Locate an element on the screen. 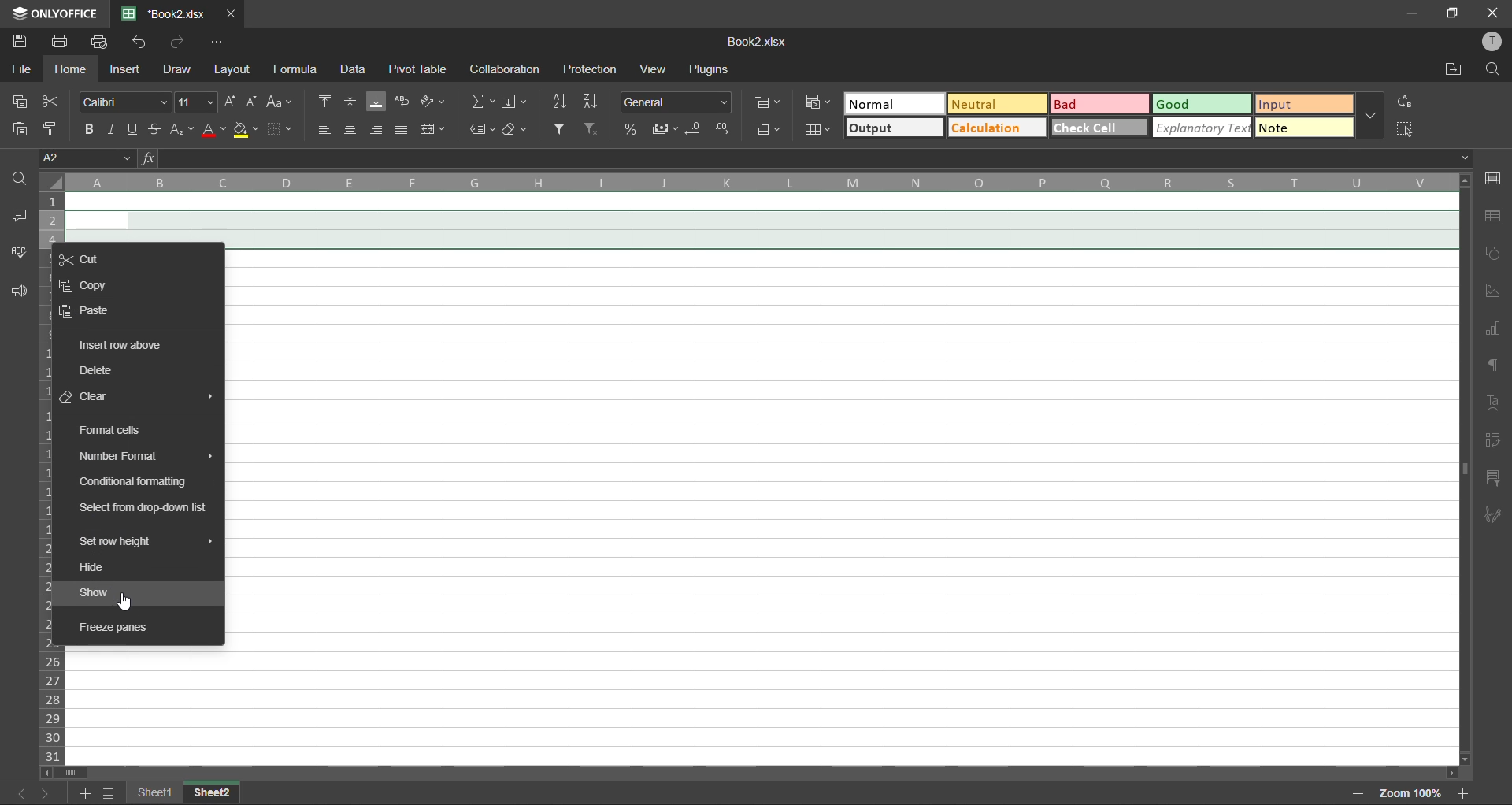  minimize is located at coordinates (1413, 14).